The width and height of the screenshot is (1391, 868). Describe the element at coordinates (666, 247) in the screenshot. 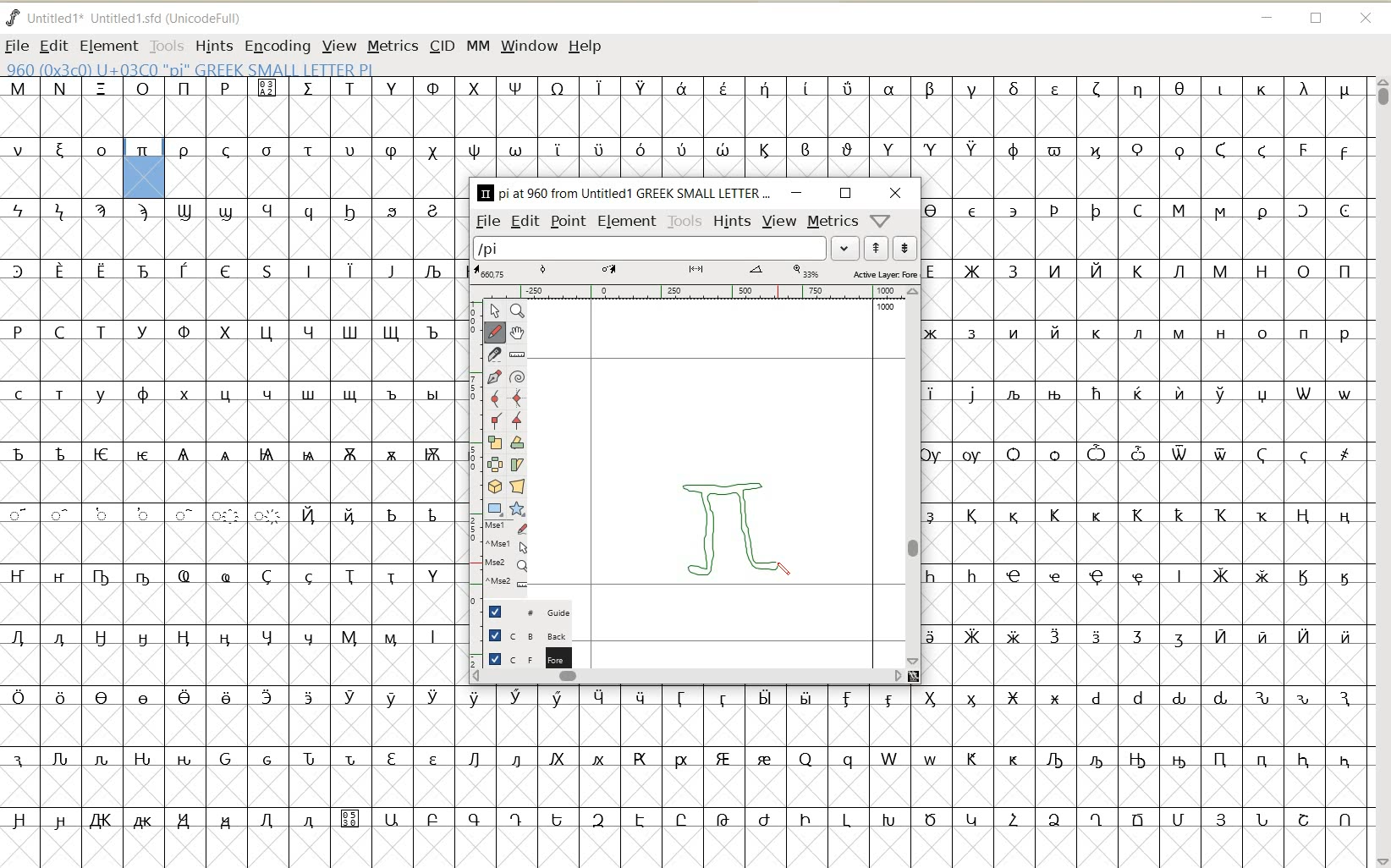

I see `load word list` at that location.